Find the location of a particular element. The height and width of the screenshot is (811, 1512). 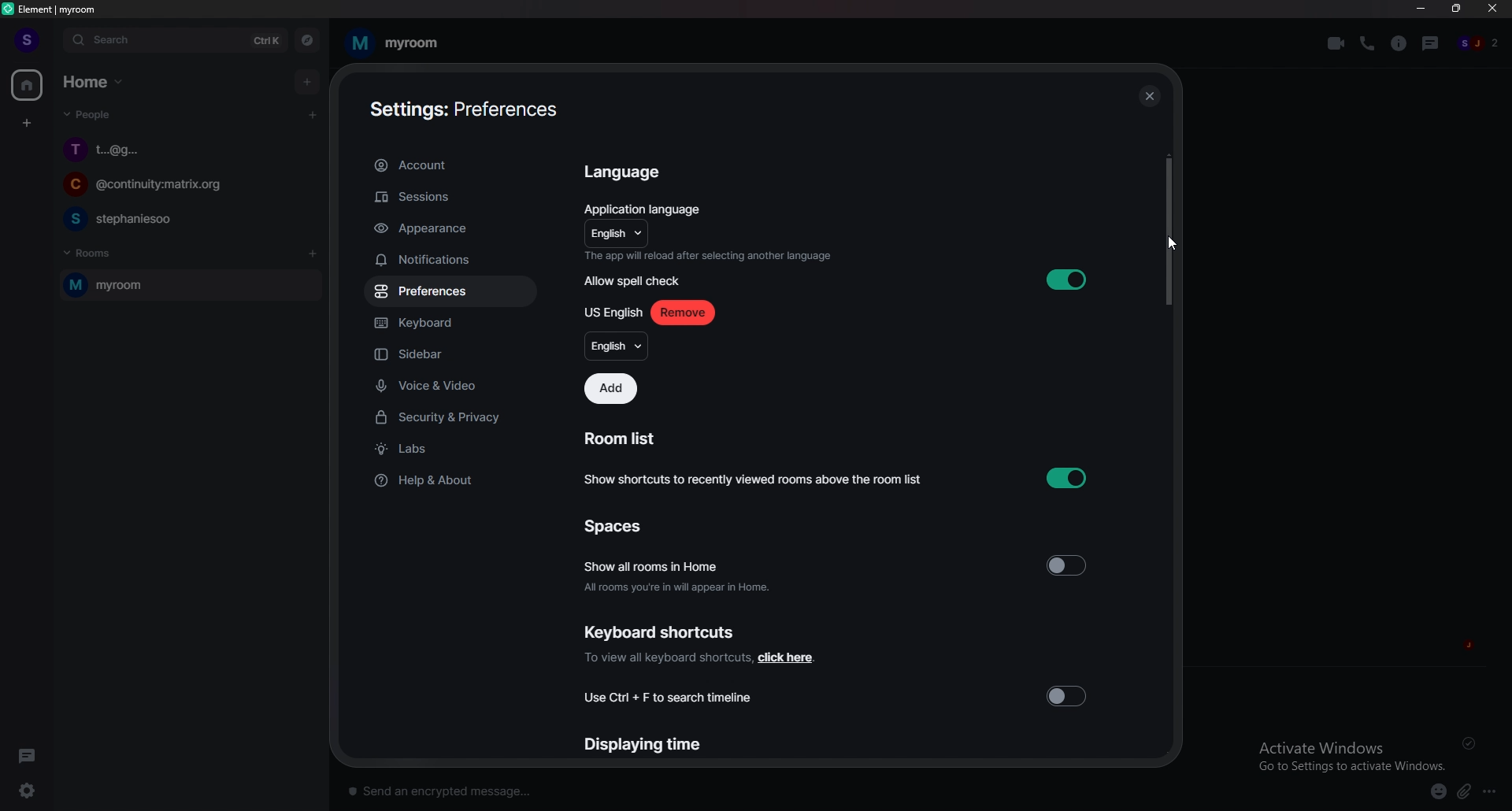

account is located at coordinates (449, 166).